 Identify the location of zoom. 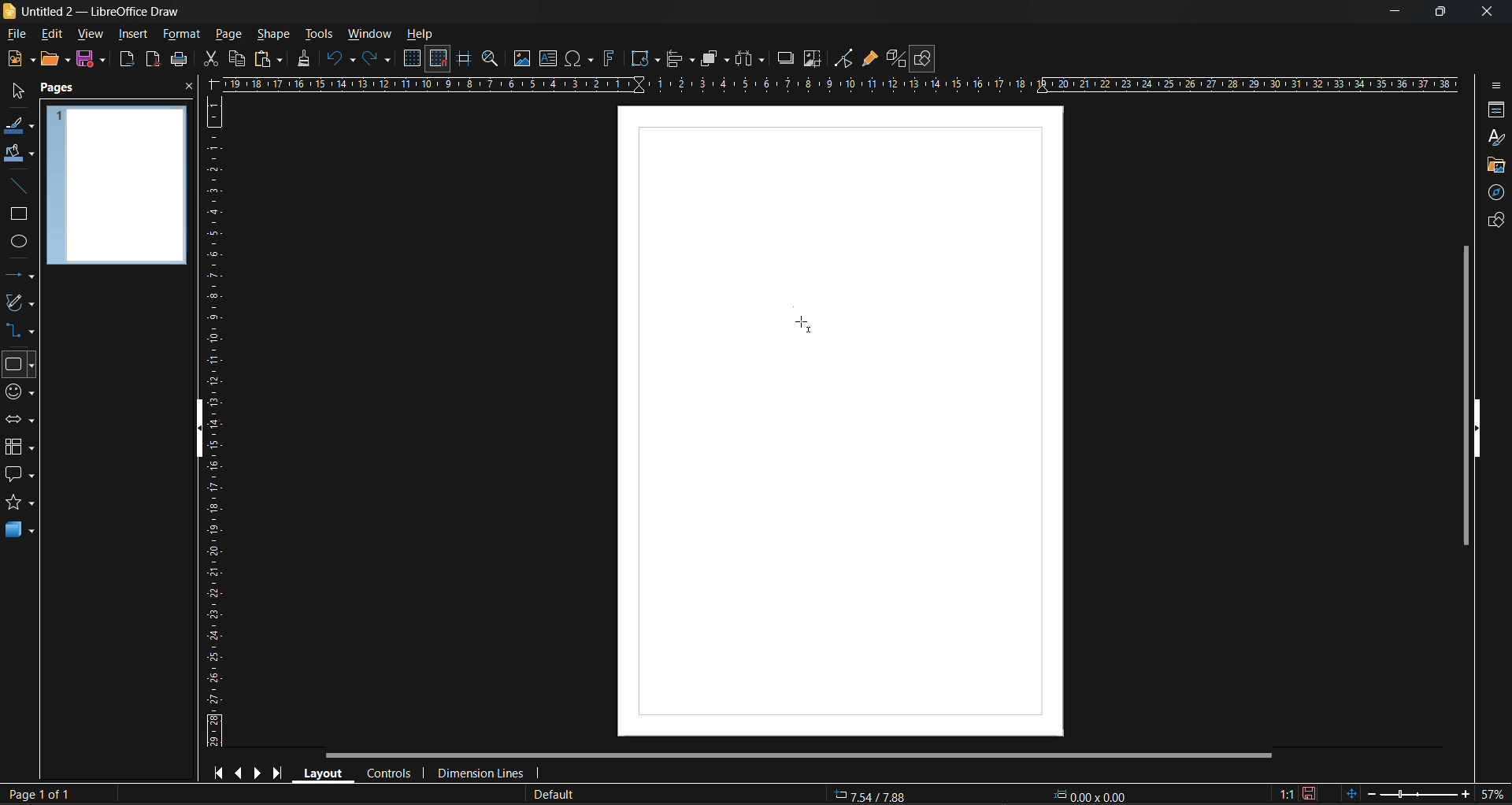
(492, 61).